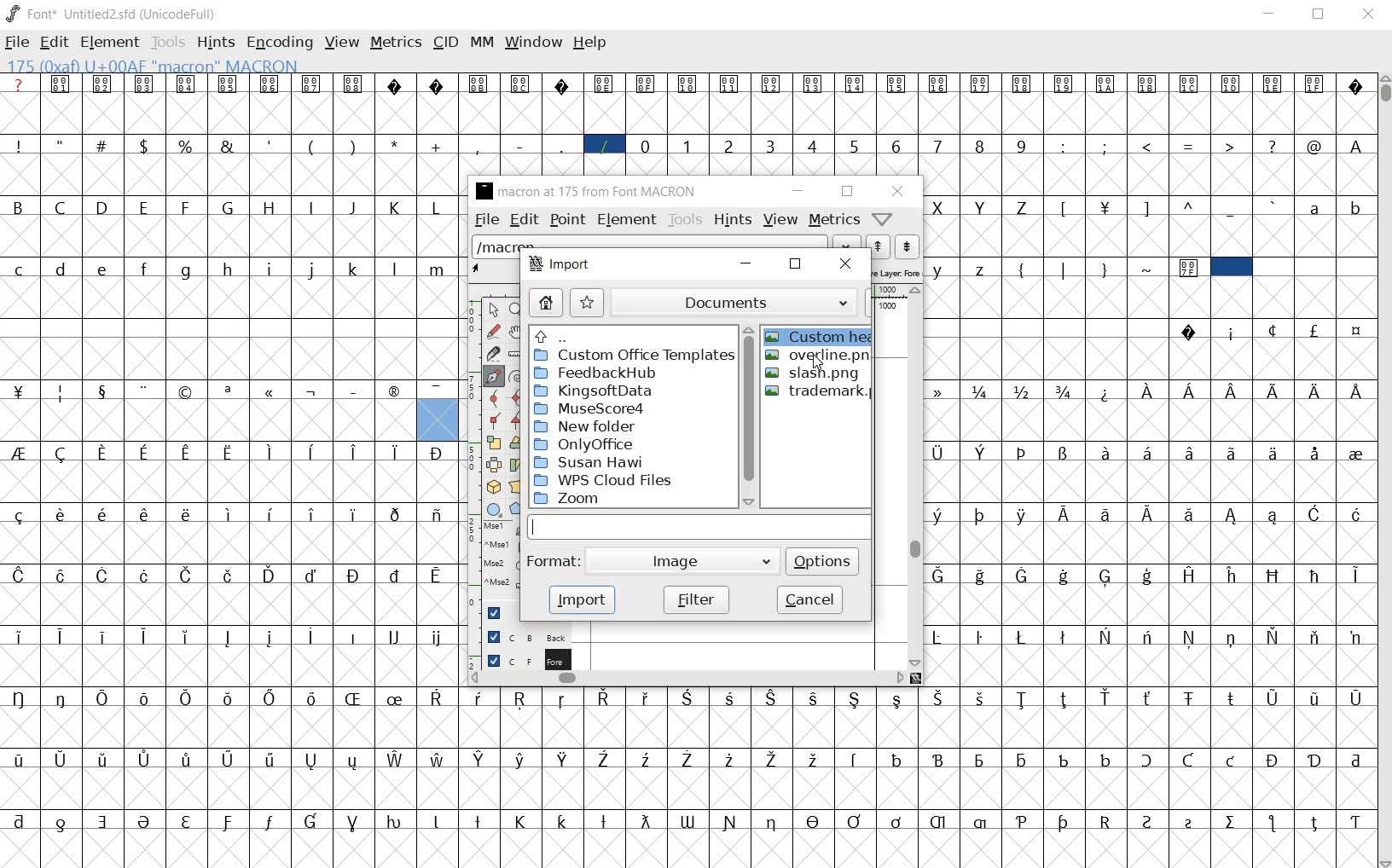  I want to click on Custom Office Templates, so click(634, 355).